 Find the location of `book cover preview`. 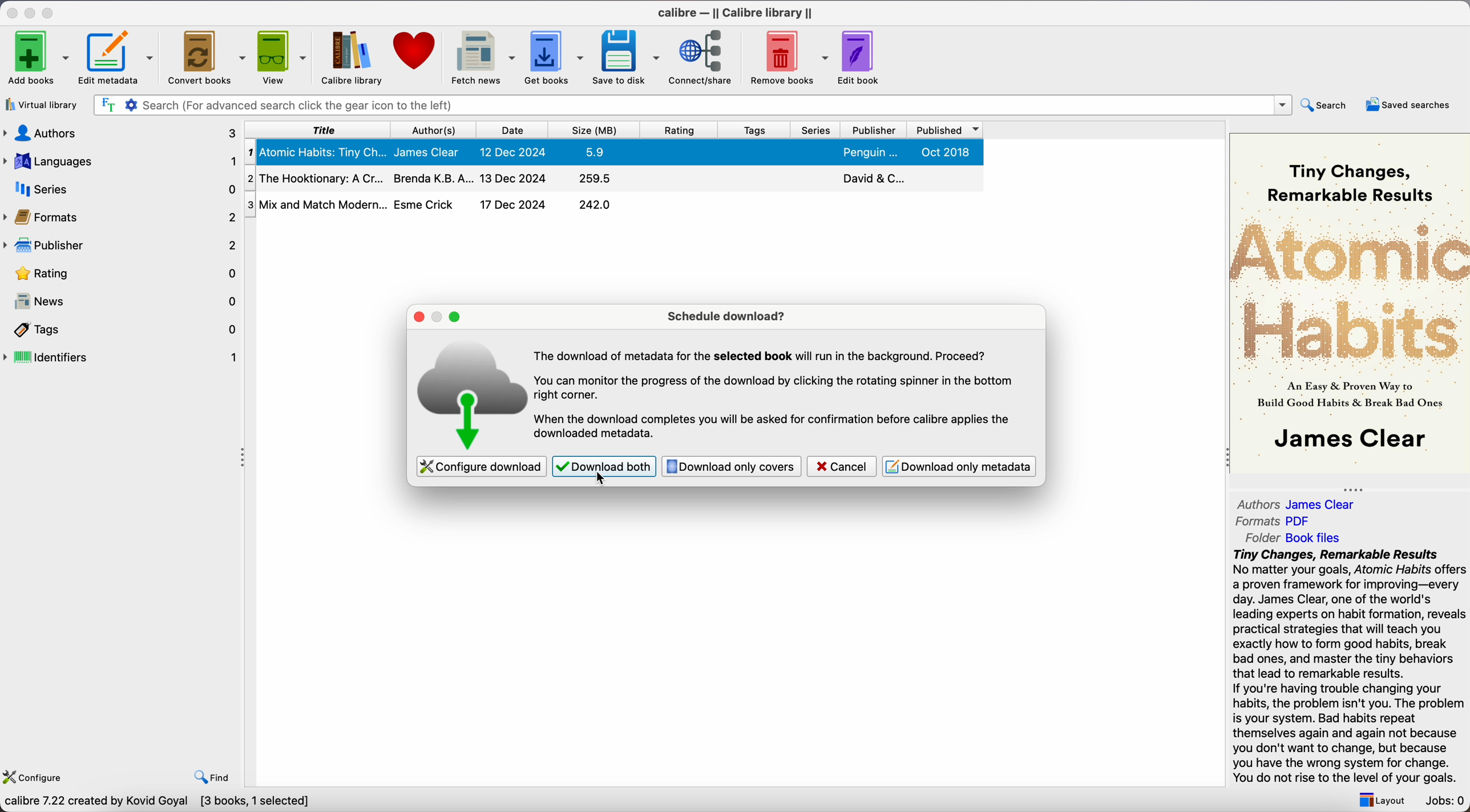

book cover preview is located at coordinates (1351, 304).